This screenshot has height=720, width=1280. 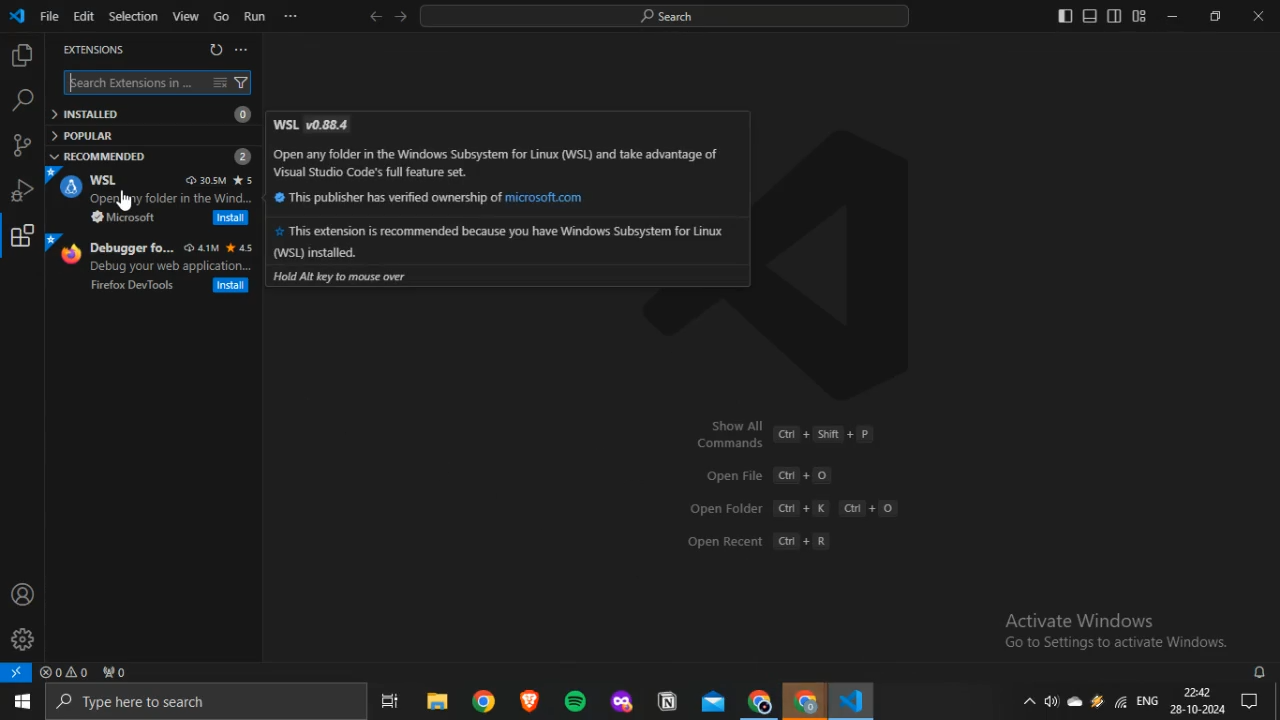 I want to click on Show All Commands Ctrl + Shift + P, so click(x=787, y=434).